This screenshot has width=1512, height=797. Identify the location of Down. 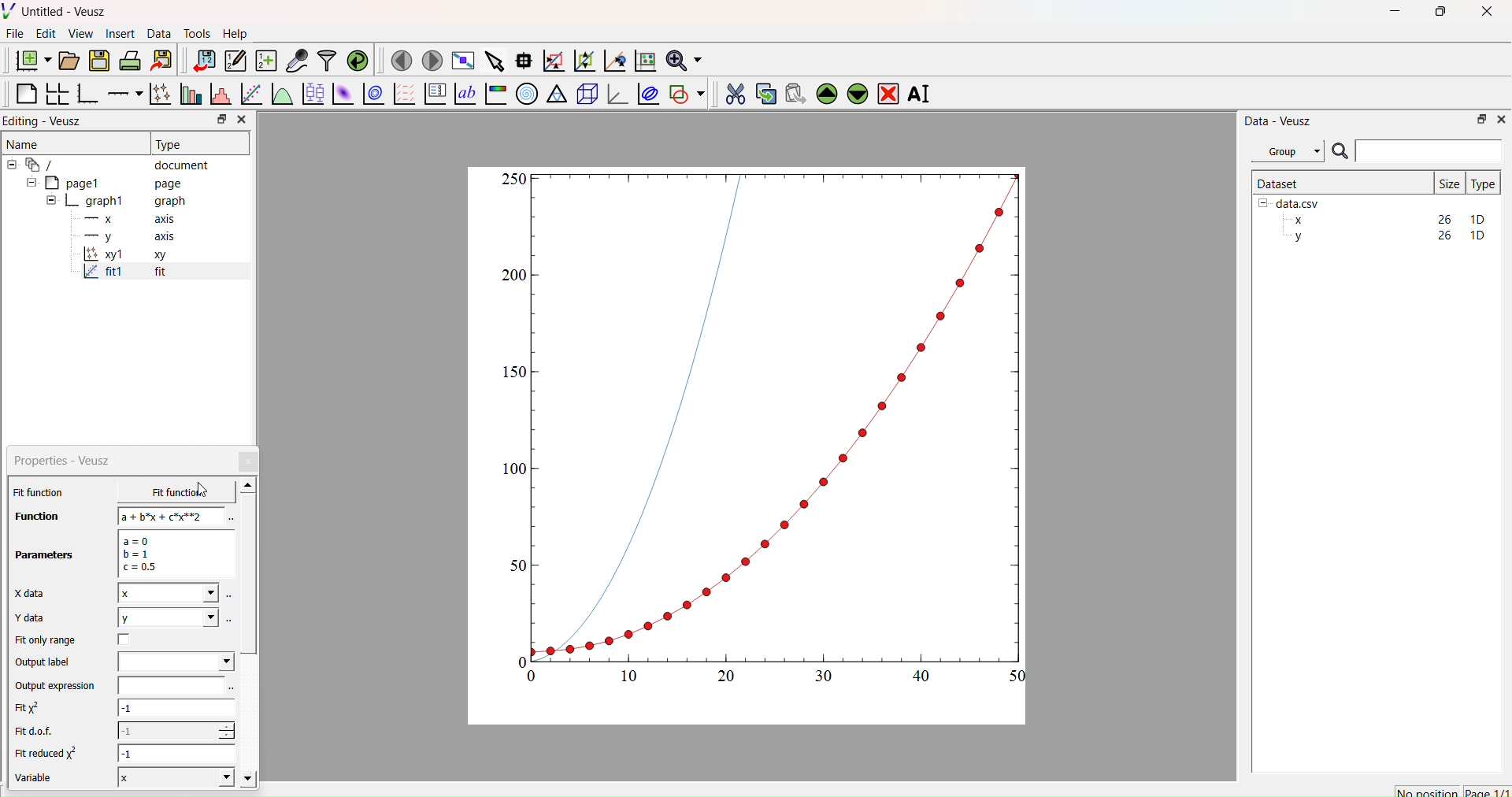
(857, 91).